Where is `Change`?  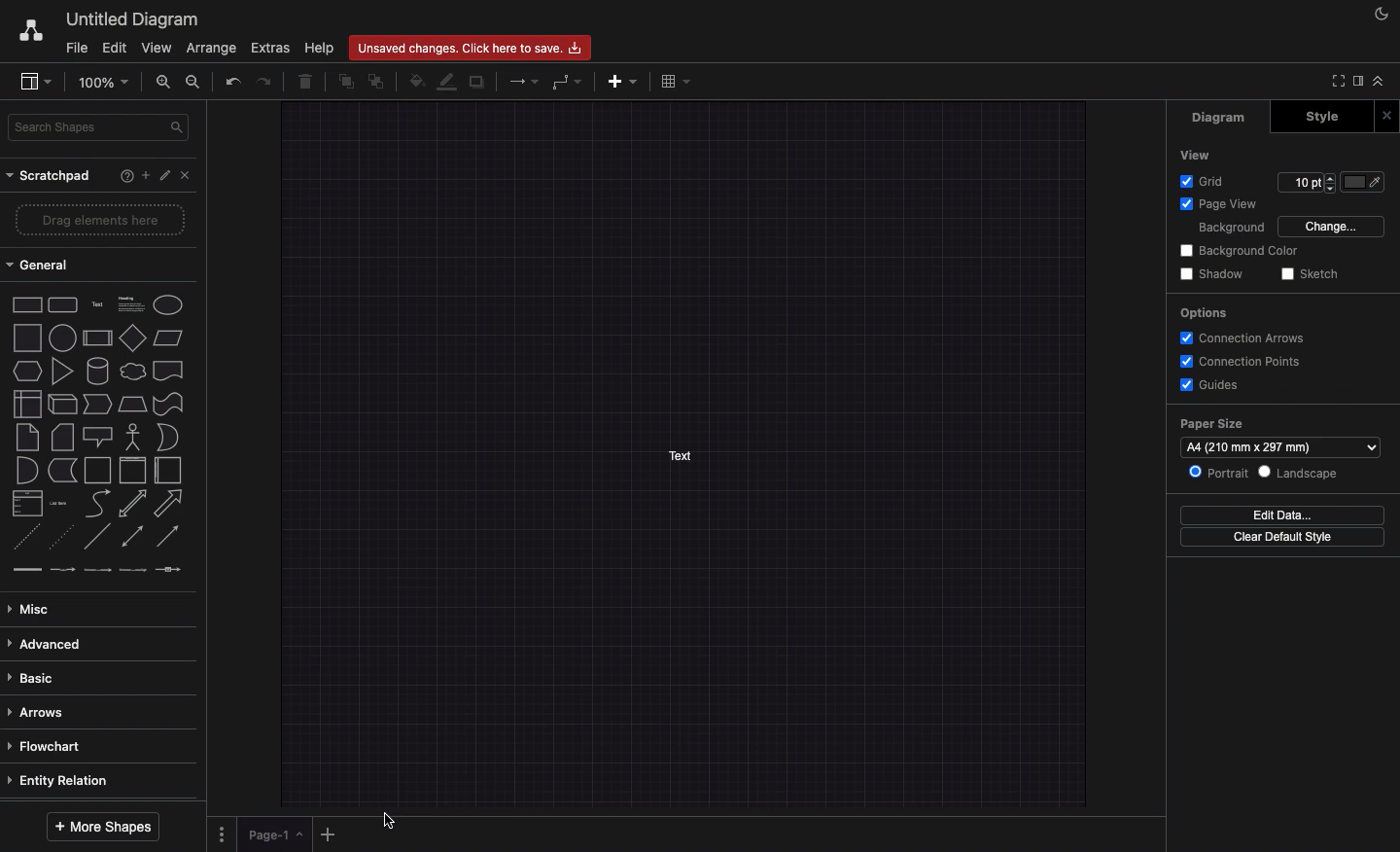
Change is located at coordinates (1333, 226).